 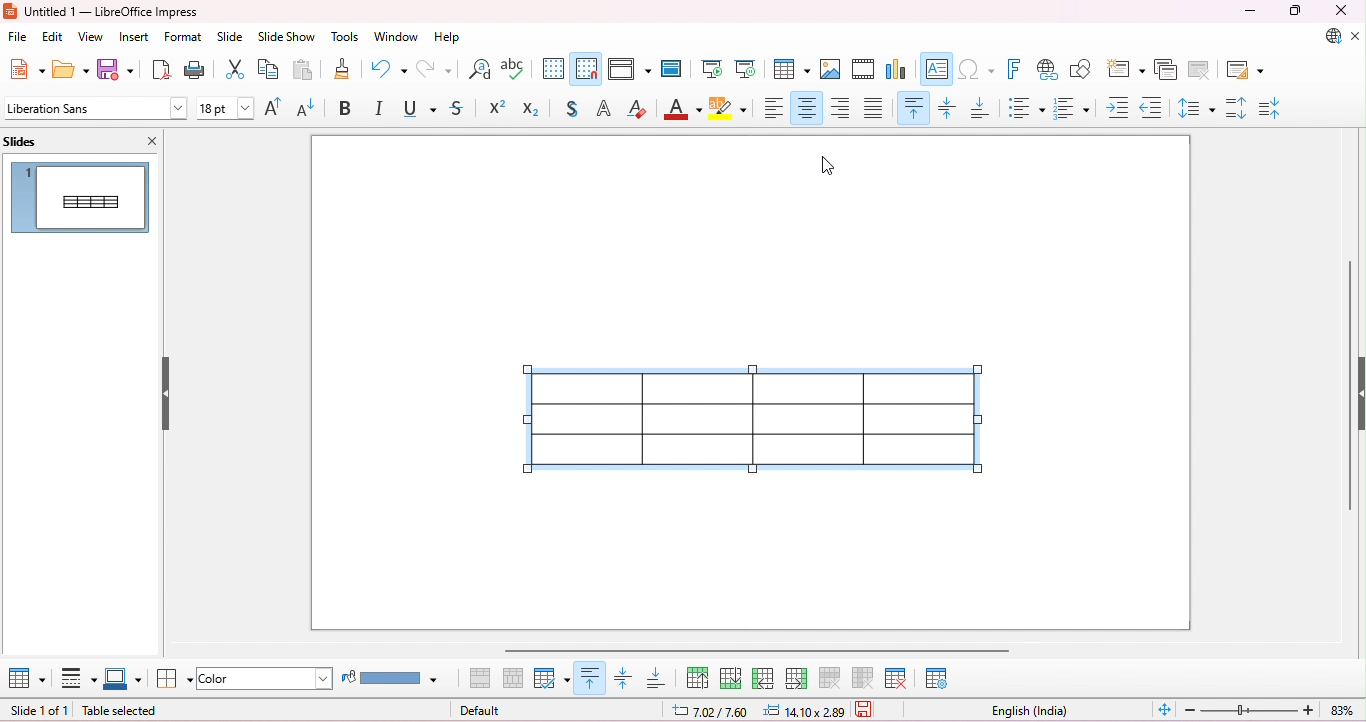 What do you see at coordinates (533, 108) in the screenshot?
I see `subsrscript` at bounding box center [533, 108].